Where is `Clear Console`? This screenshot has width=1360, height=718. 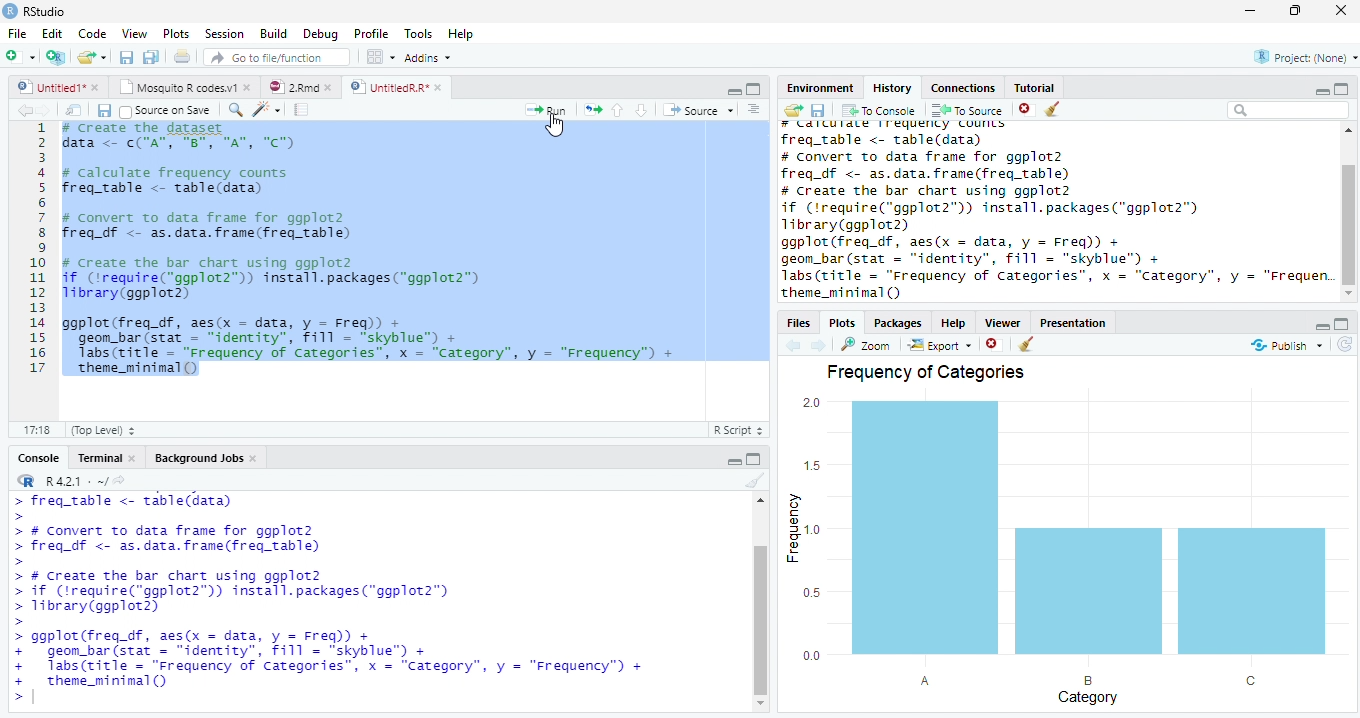
Clear Console is located at coordinates (1052, 108).